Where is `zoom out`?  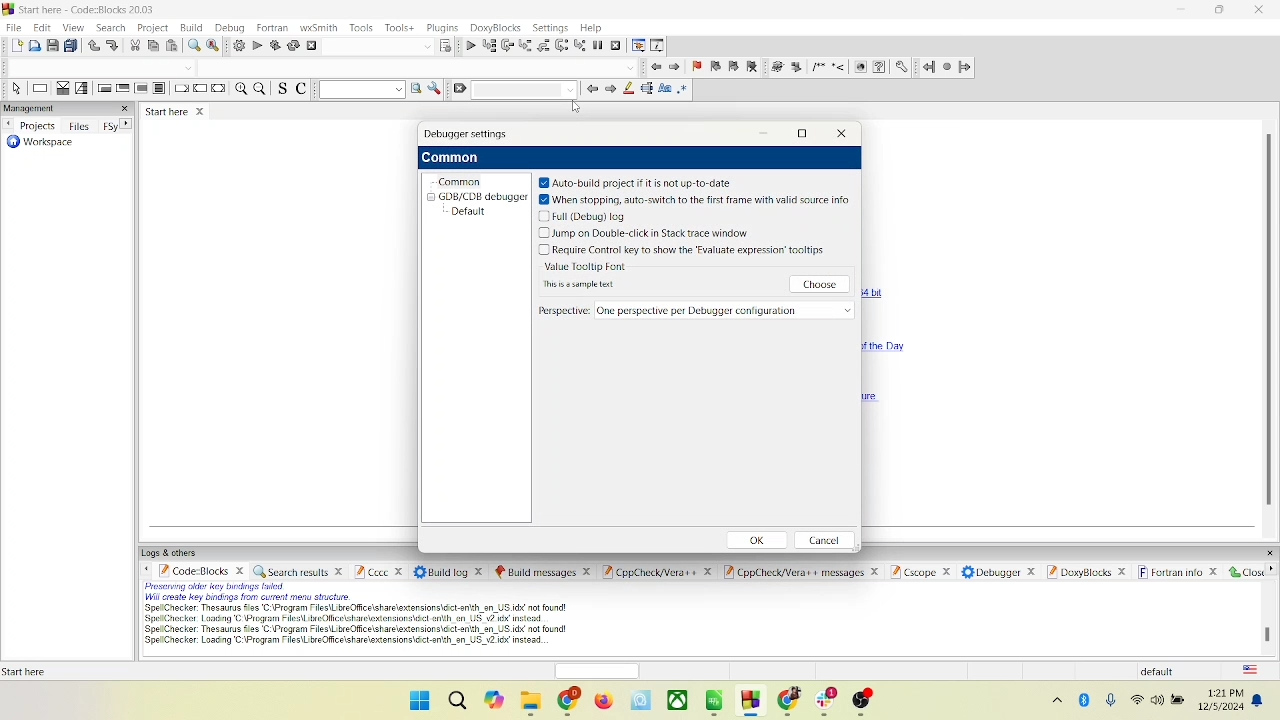
zoom out is located at coordinates (260, 88).